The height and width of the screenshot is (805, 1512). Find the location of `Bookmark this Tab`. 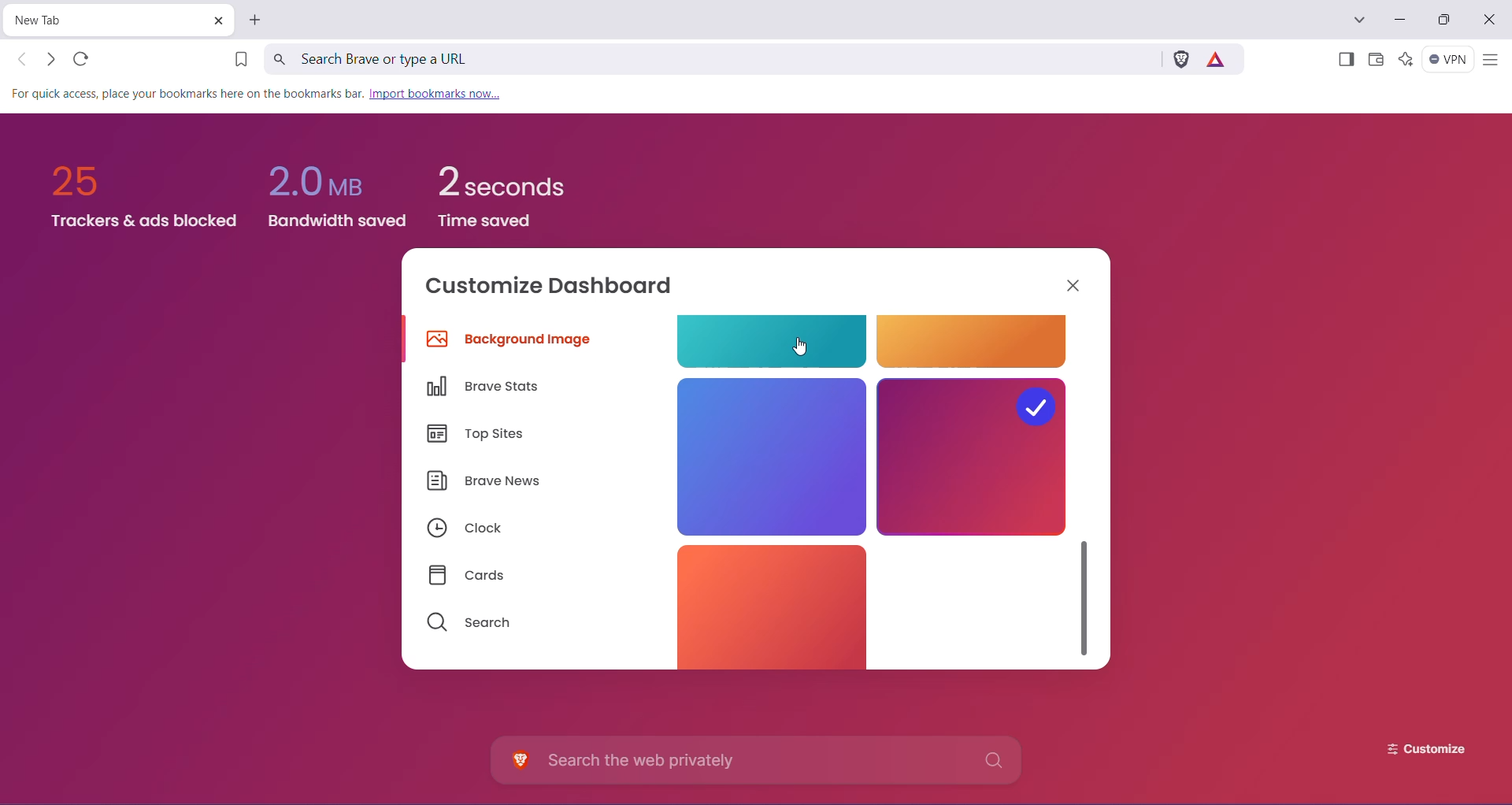

Bookmark this Tab is located at coordinates (235, 61).